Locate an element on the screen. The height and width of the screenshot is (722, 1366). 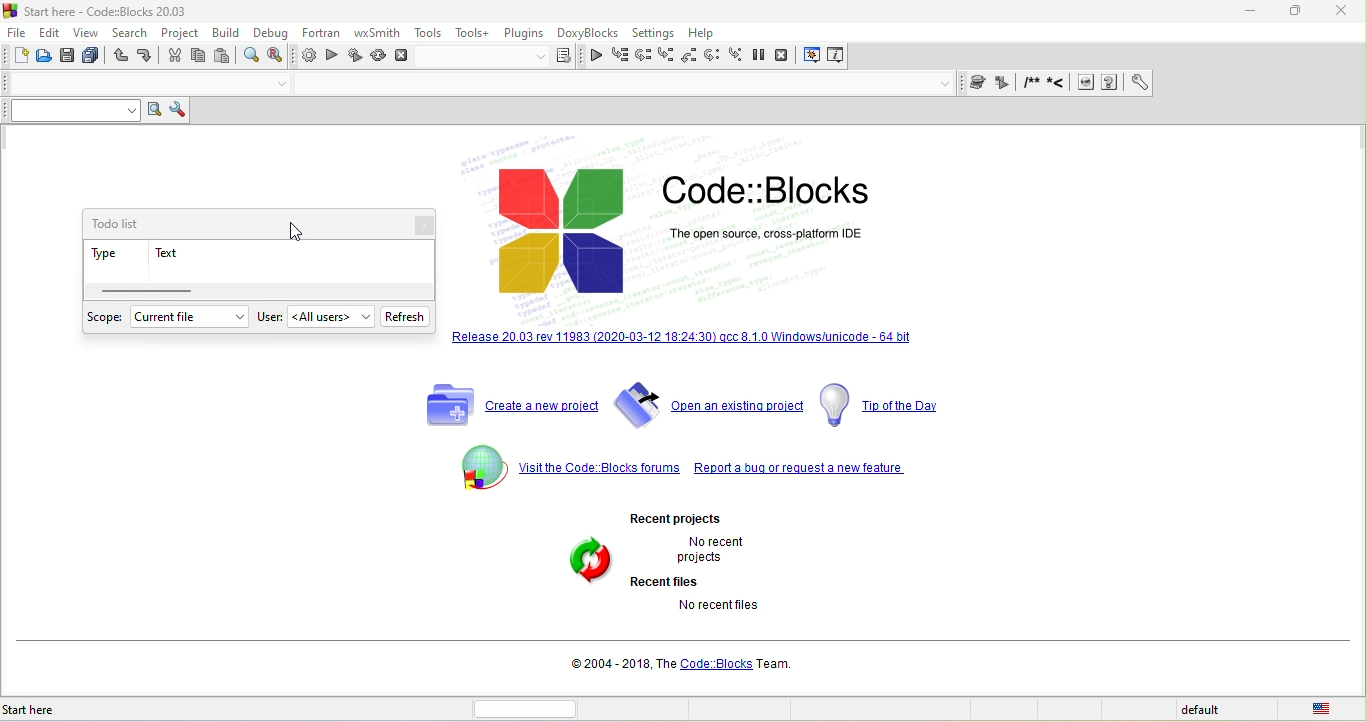
save everything is located at coordinates (93, 56).